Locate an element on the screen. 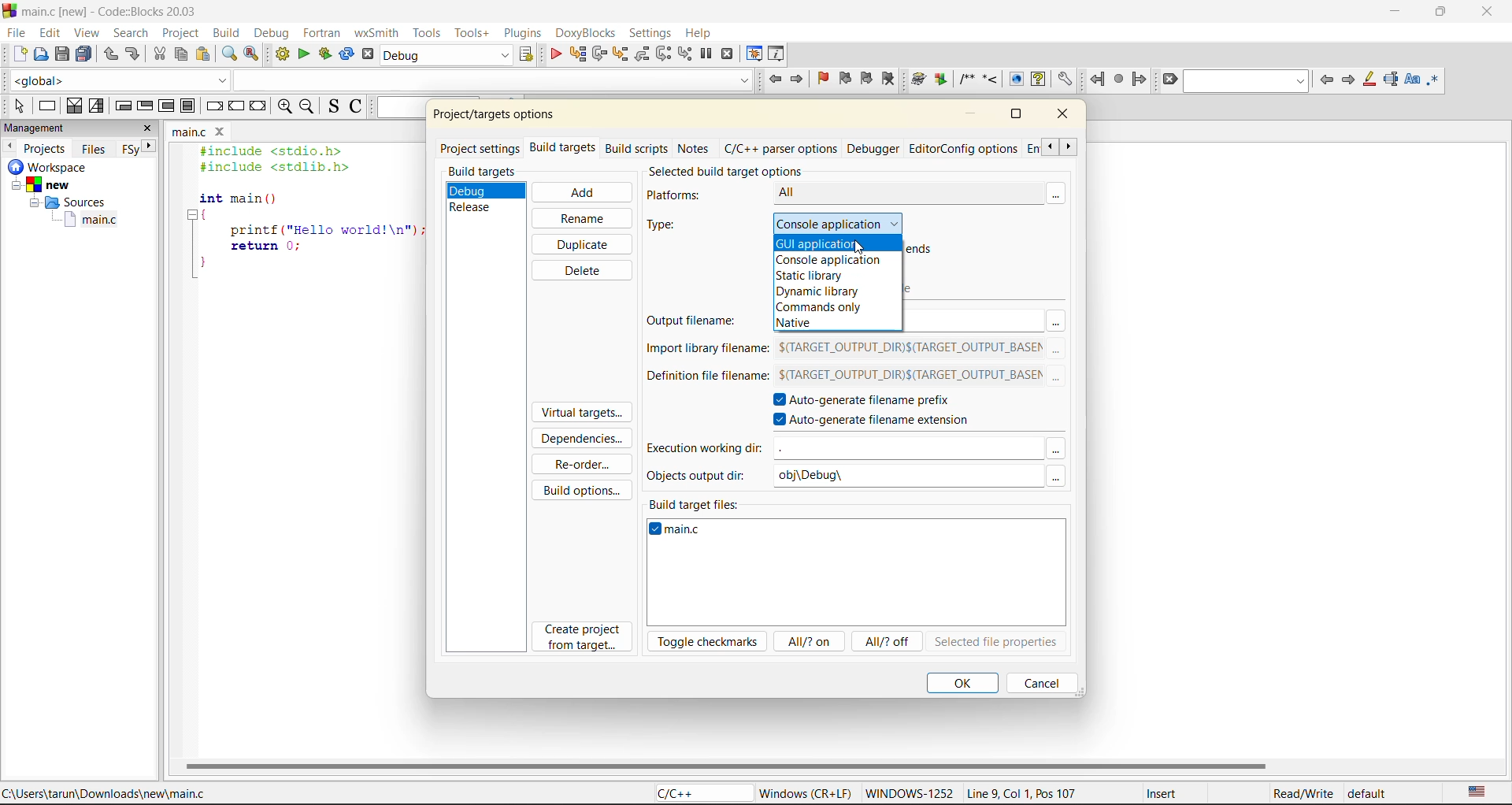 The width and height of the screenshot is (1512, 805). toggle checkmarks is located at coordinates (708, 642).